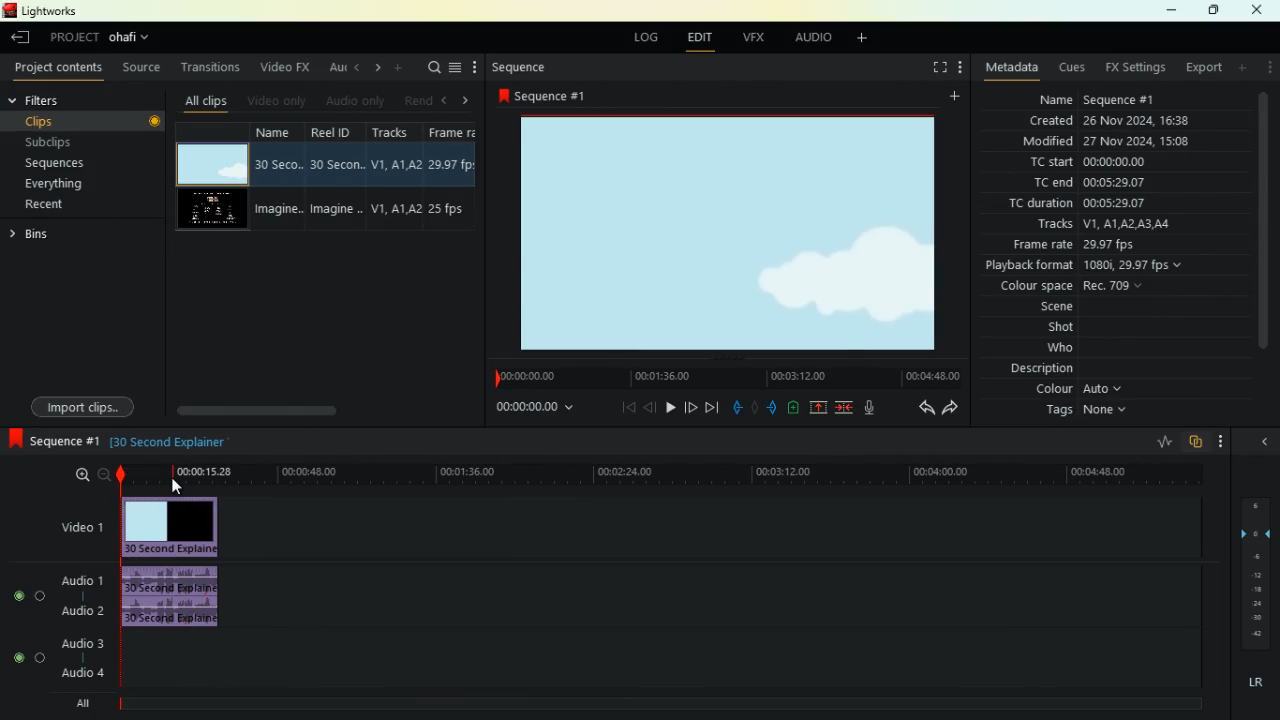 The width and height of the screenshot is (1280, 720). Describe the element at coordinates (1255, 578) in the screenshot. I see `layers` at that location.